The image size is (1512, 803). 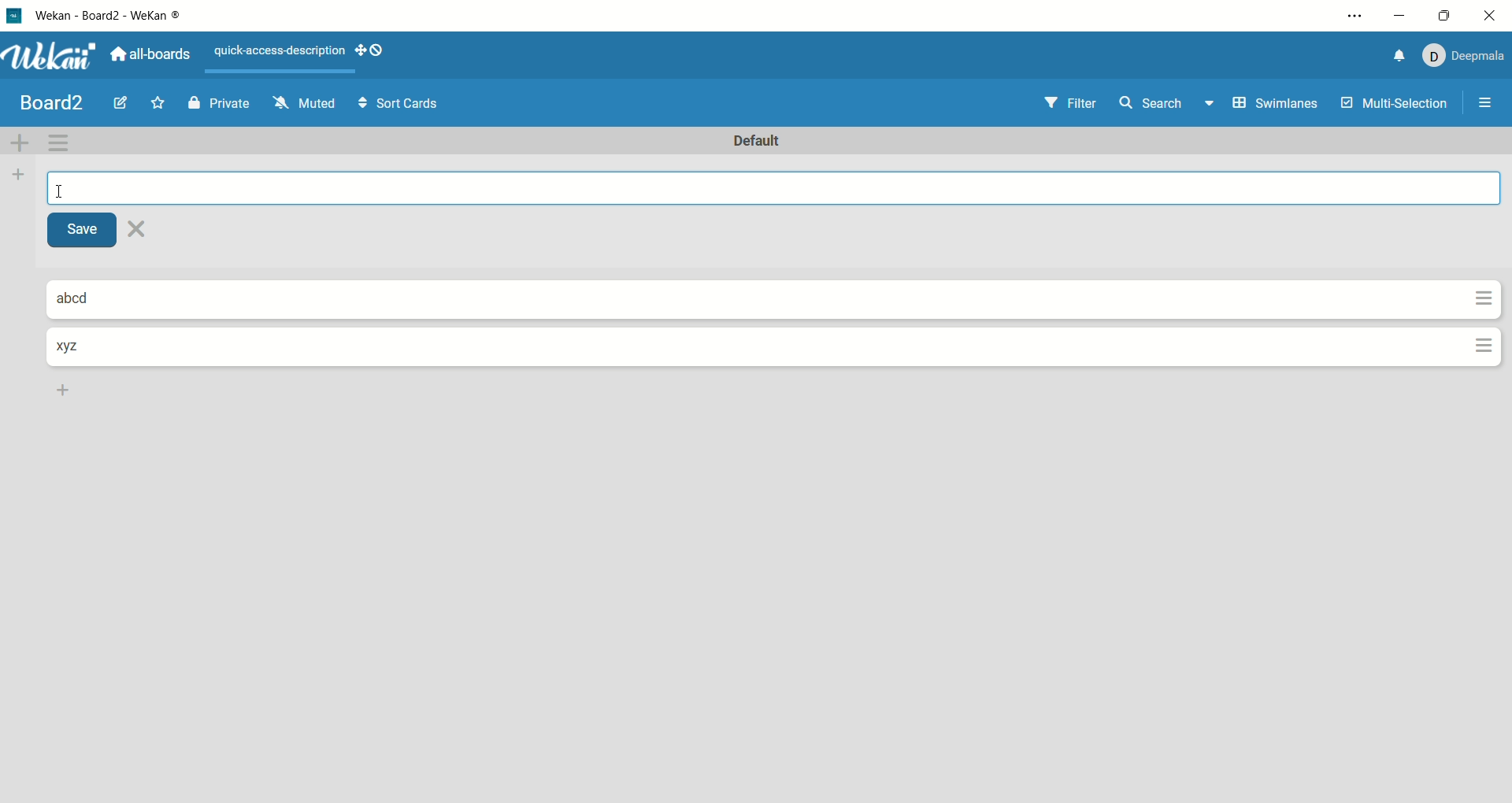 I want to click on text, so click(x=277, y=54).